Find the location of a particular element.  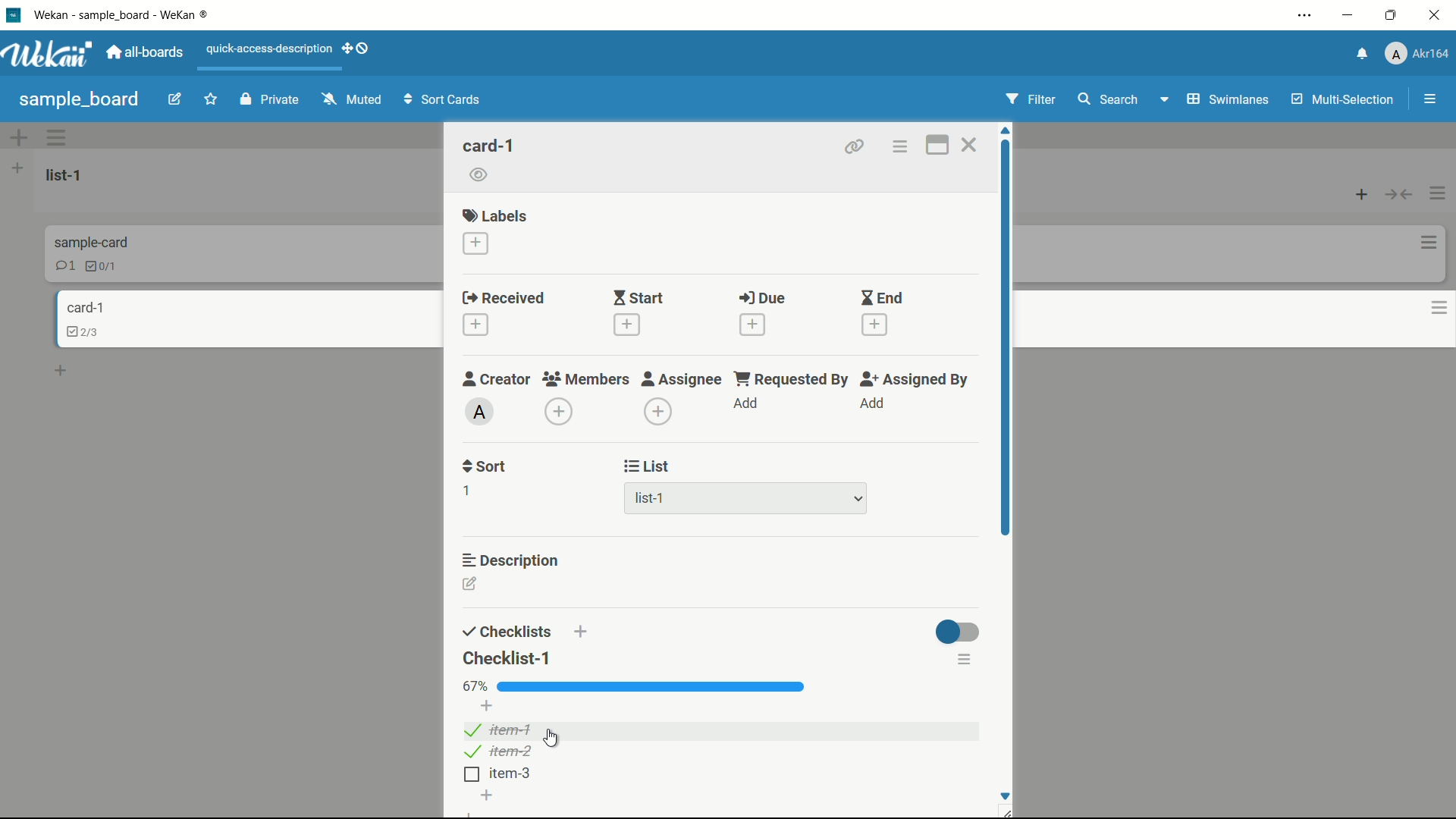

add swimlane is located at coordinates (20, 136).